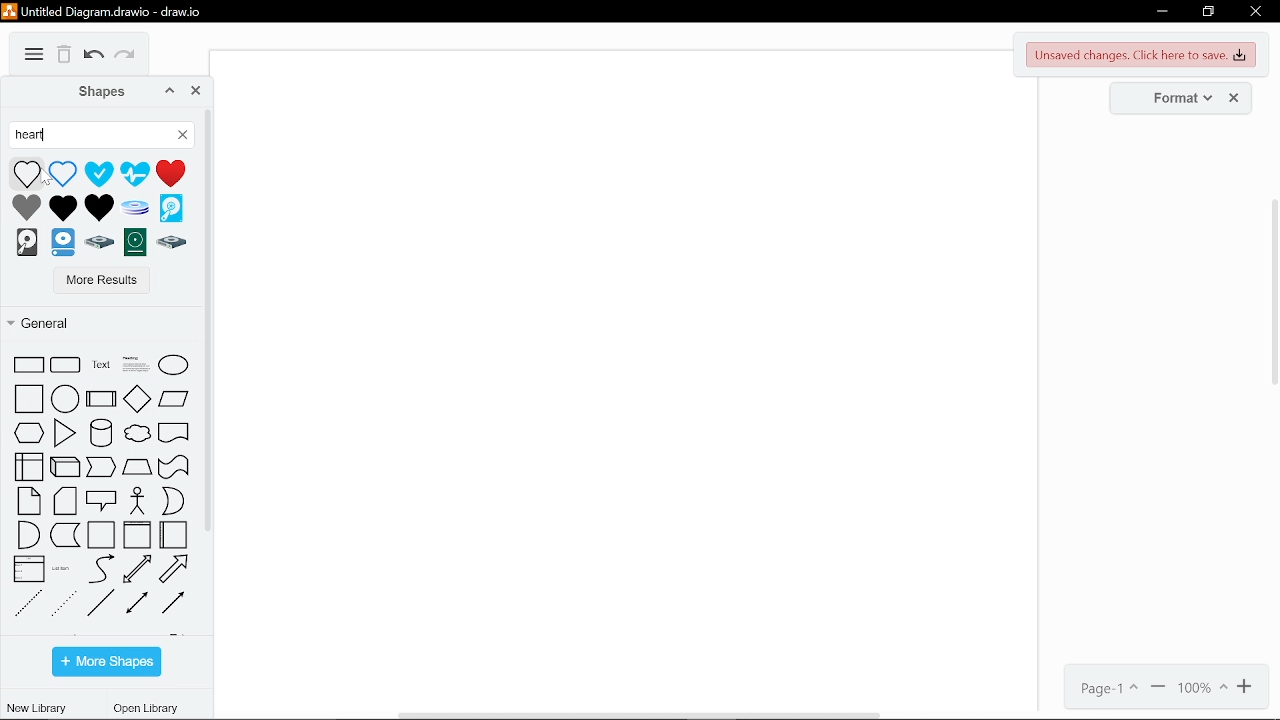  I want to click on arrow, so click(179, 570).